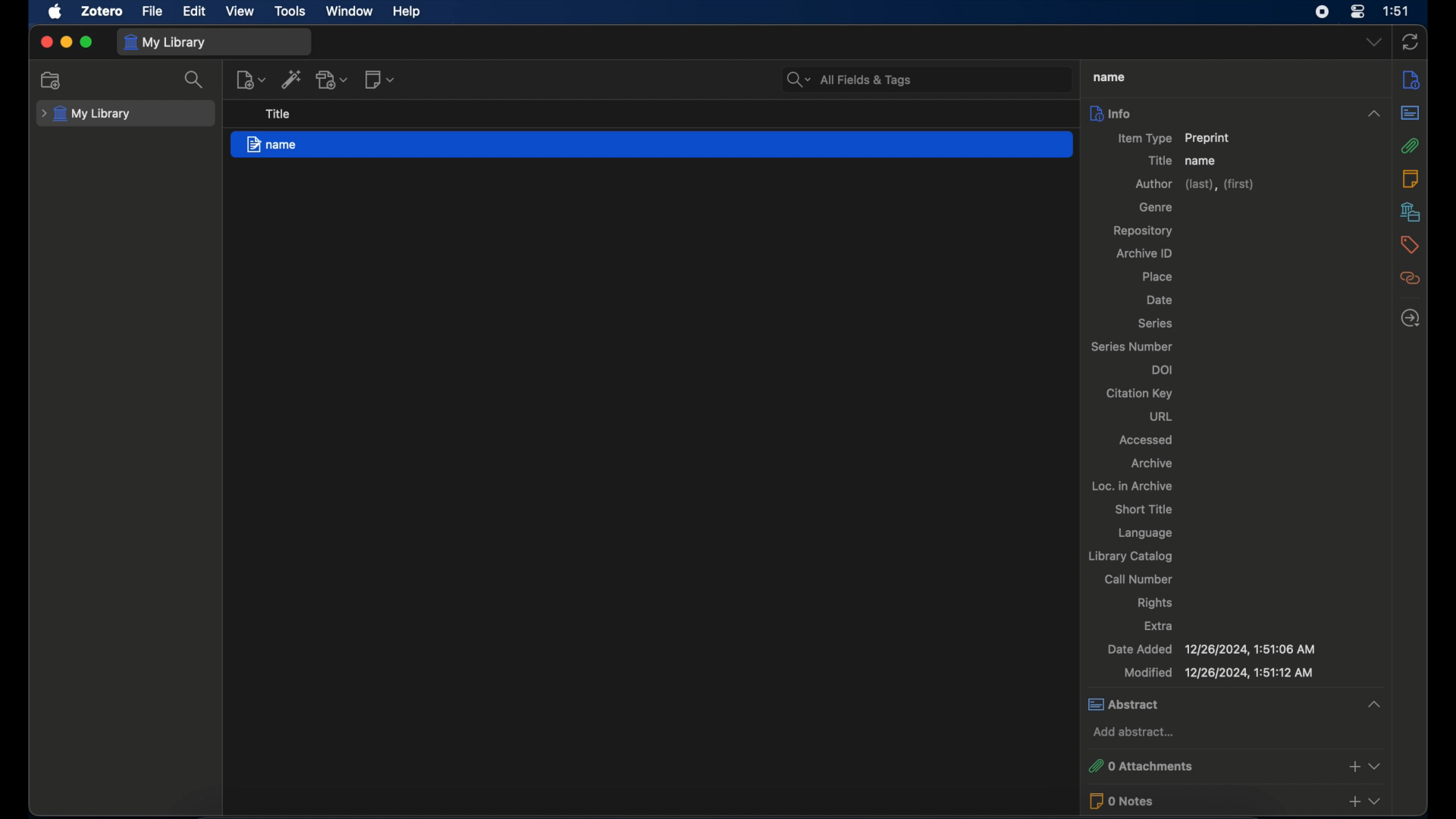  Describe the element at coordinates (1234, 767) in the screenshot. I see `0 attachments` at that location.